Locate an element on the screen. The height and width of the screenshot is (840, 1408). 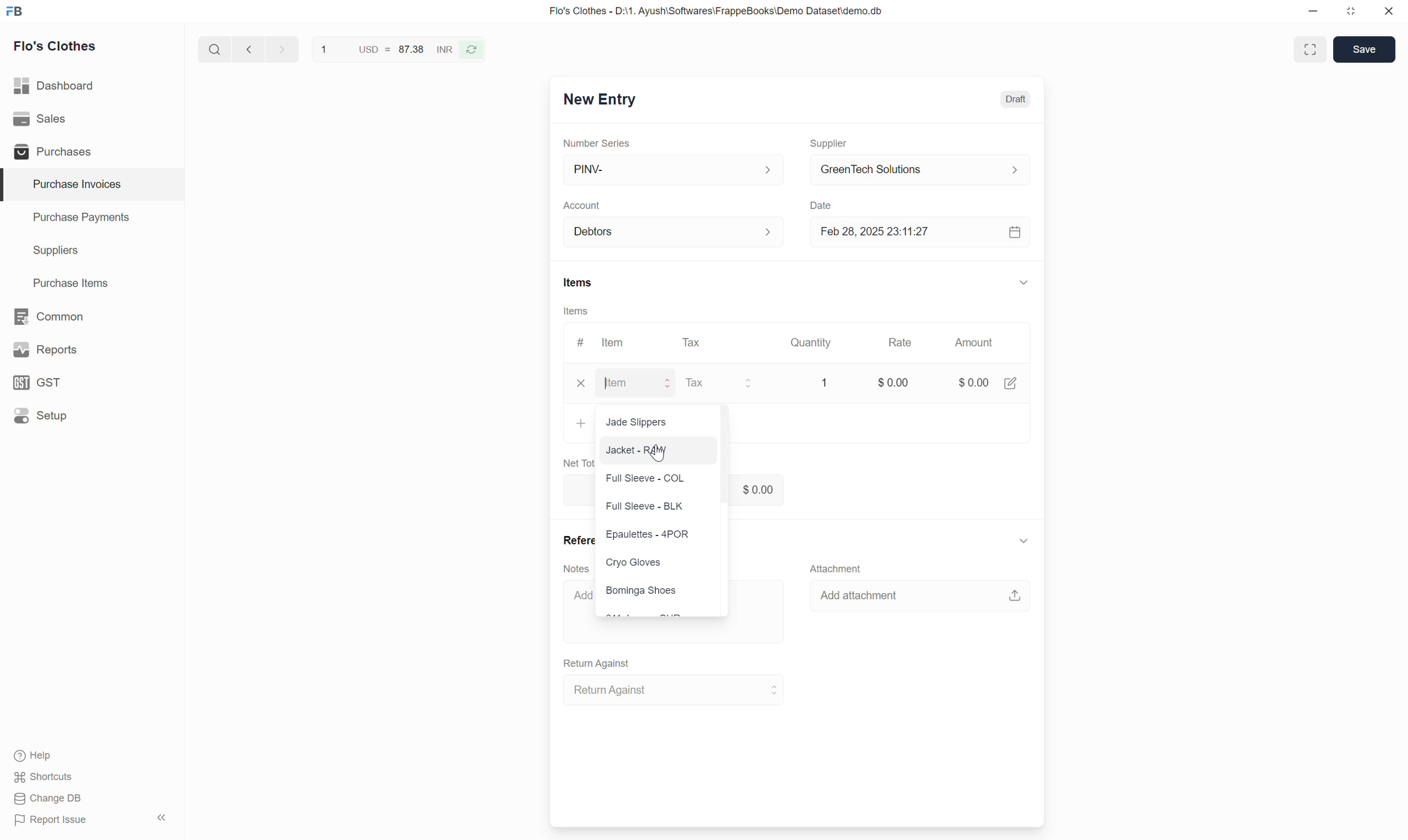
Minimize is located at coordinates (1313, 11).